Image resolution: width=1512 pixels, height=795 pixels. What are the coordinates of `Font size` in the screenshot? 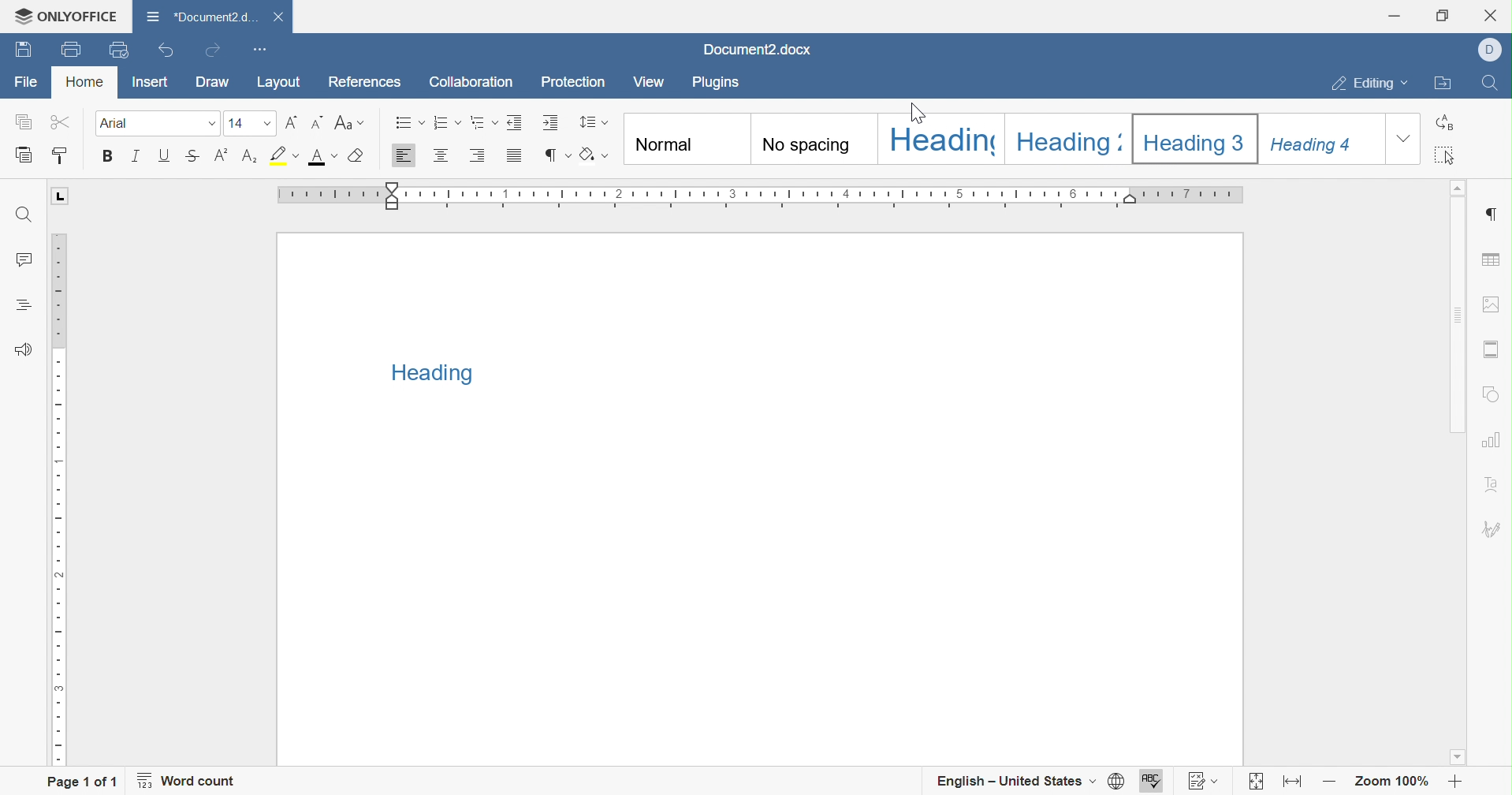 It's located at (246, 125).